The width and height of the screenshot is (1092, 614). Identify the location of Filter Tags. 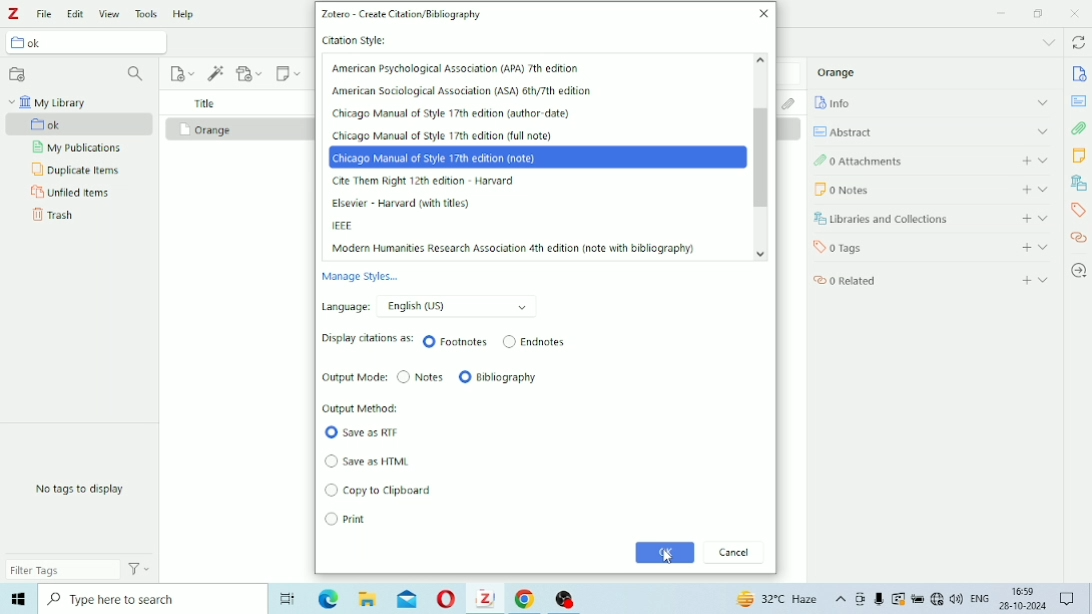
(63, 569).